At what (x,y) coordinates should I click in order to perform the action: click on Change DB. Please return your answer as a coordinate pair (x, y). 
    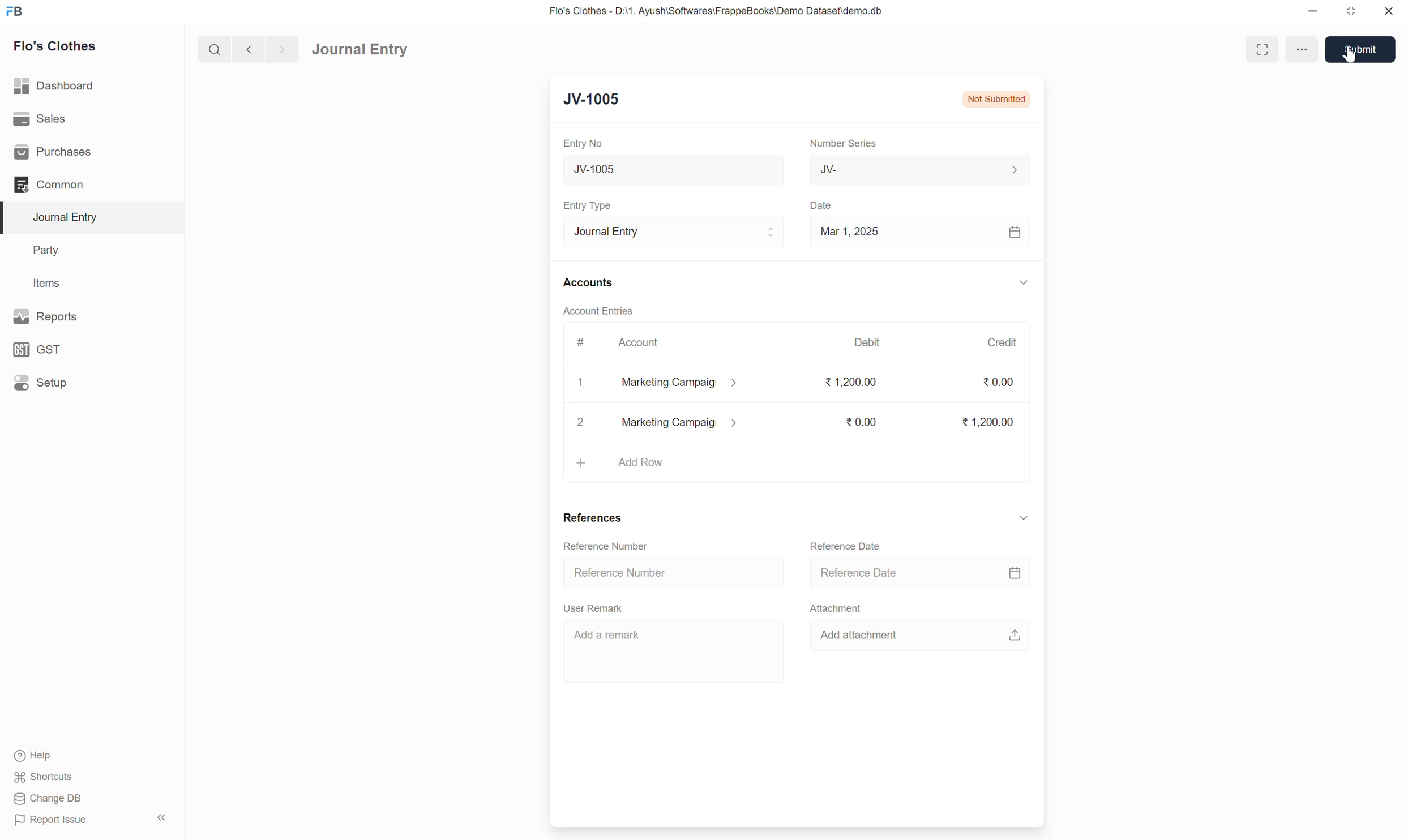
    Looking at the image, I should click on (48, 798).